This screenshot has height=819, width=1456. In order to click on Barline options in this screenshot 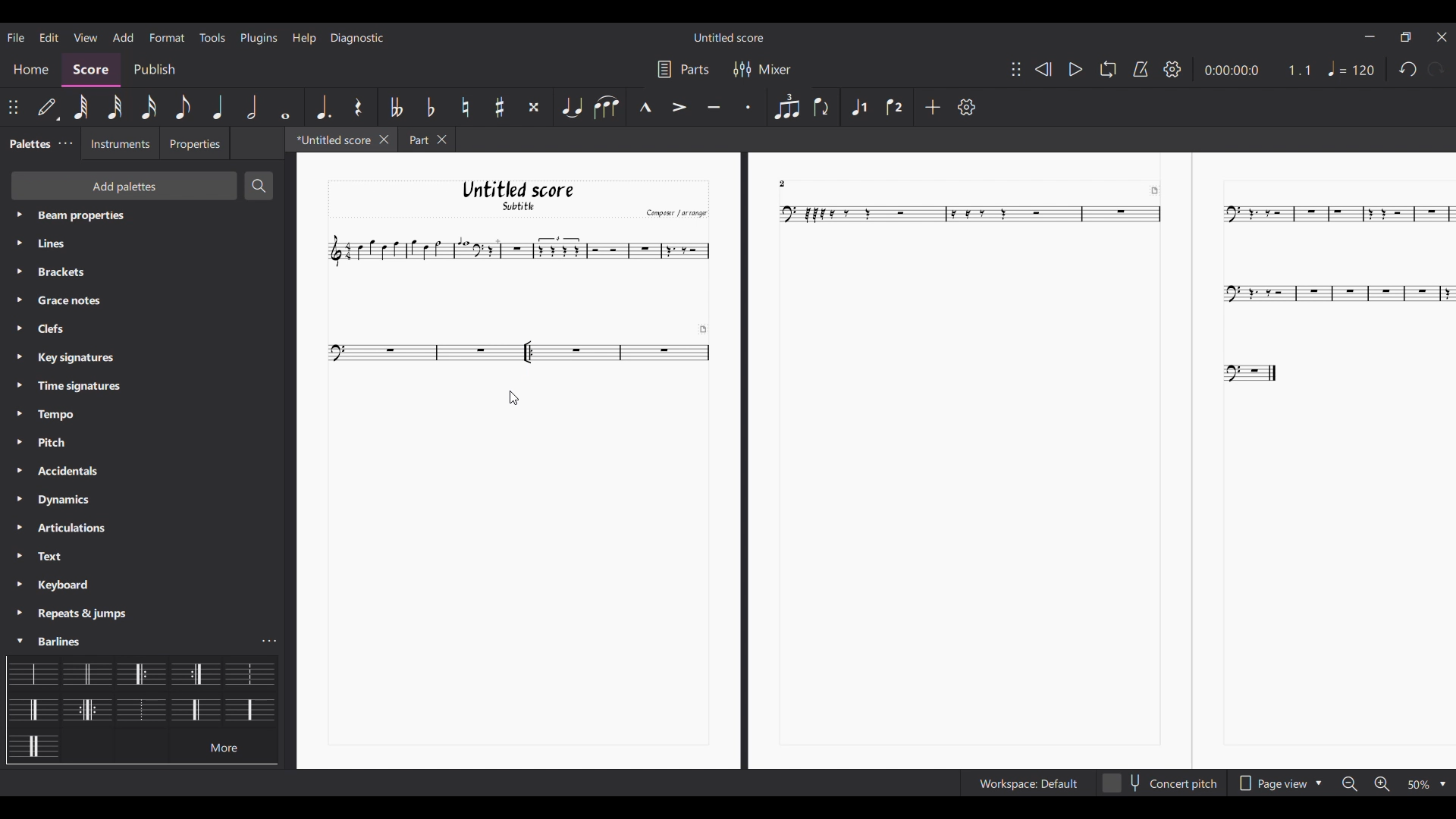, I will do `click(246, 708)`.